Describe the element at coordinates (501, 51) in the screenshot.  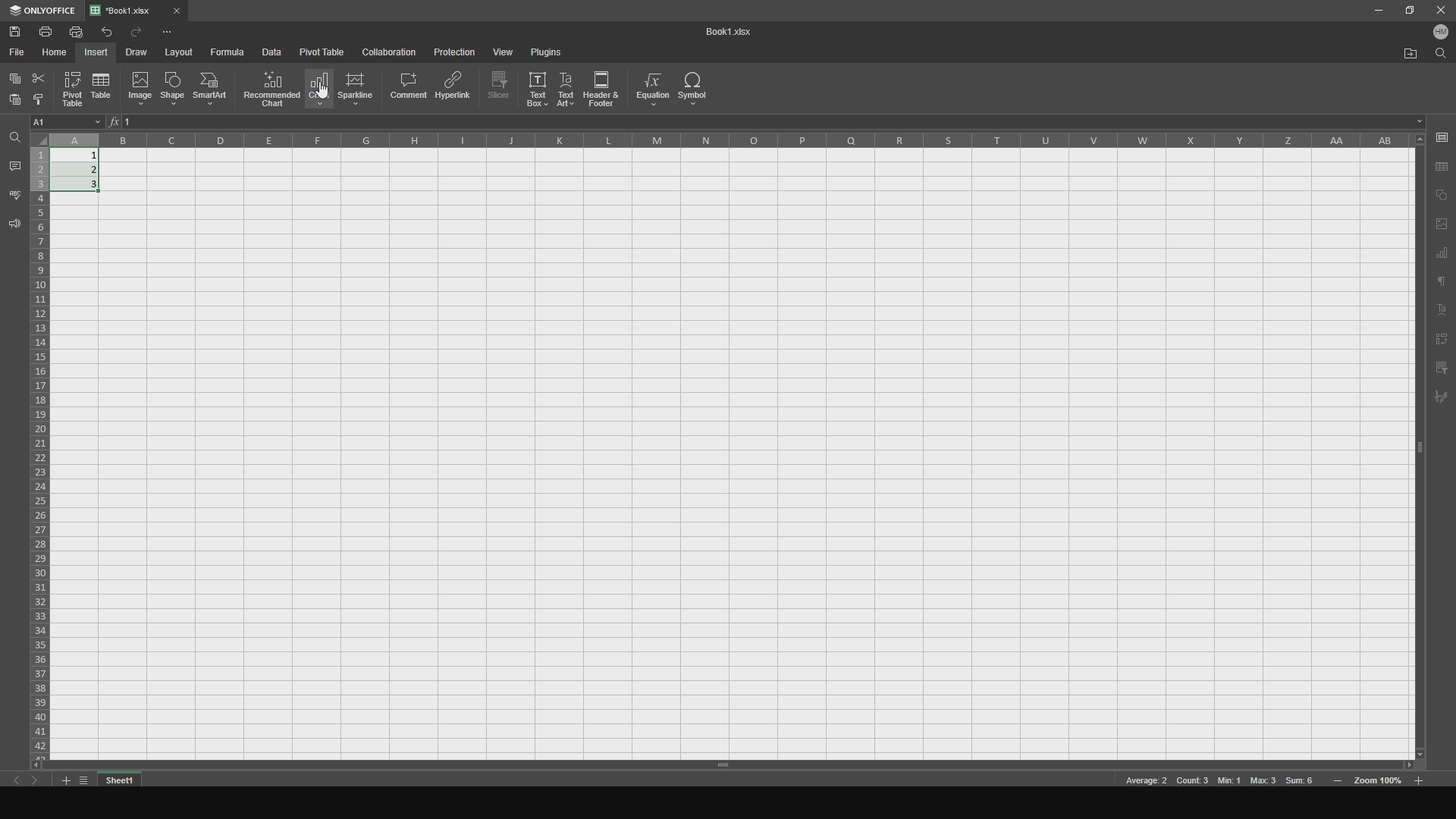
I see `view` at that location.